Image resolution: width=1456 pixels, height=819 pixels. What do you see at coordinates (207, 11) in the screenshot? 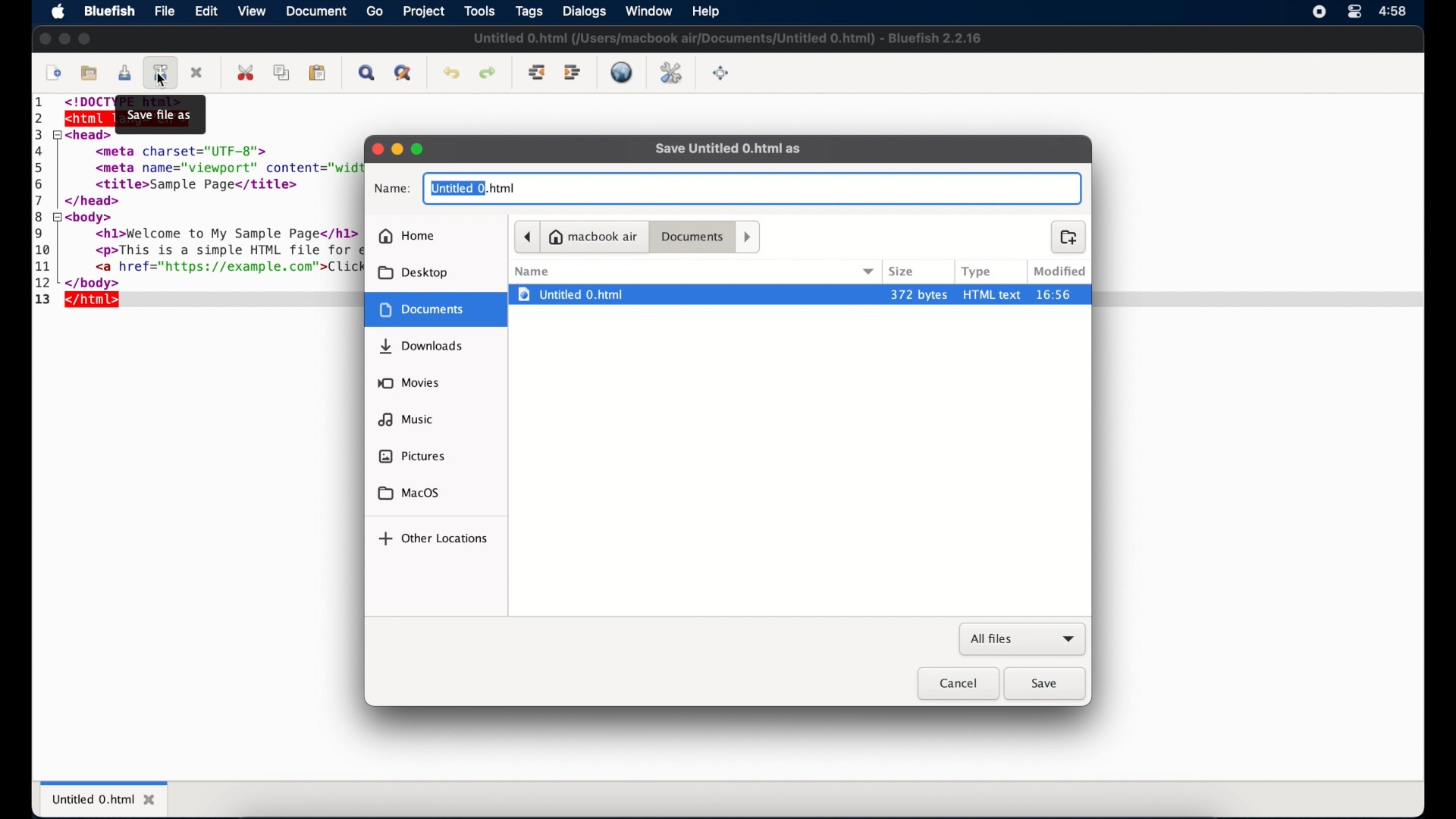
I see `edit` at bounding box center [207, 11].